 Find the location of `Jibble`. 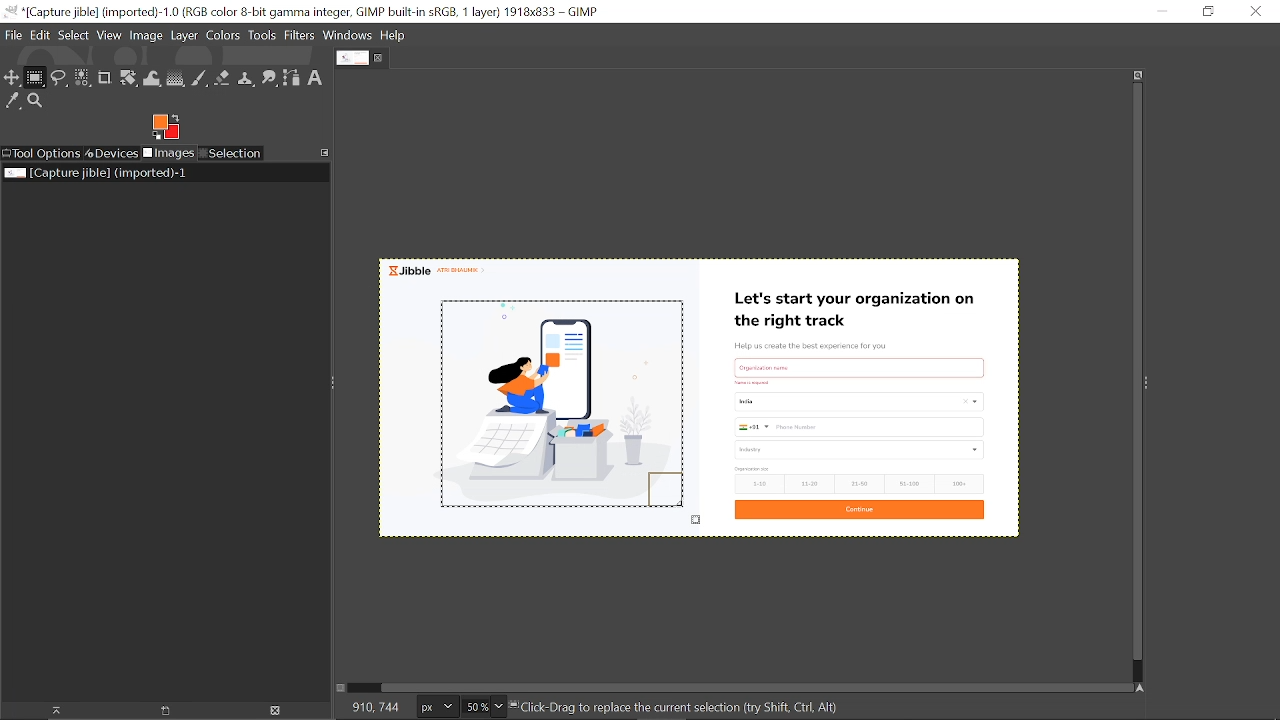

Jibble is located at coordinates (442, 270).